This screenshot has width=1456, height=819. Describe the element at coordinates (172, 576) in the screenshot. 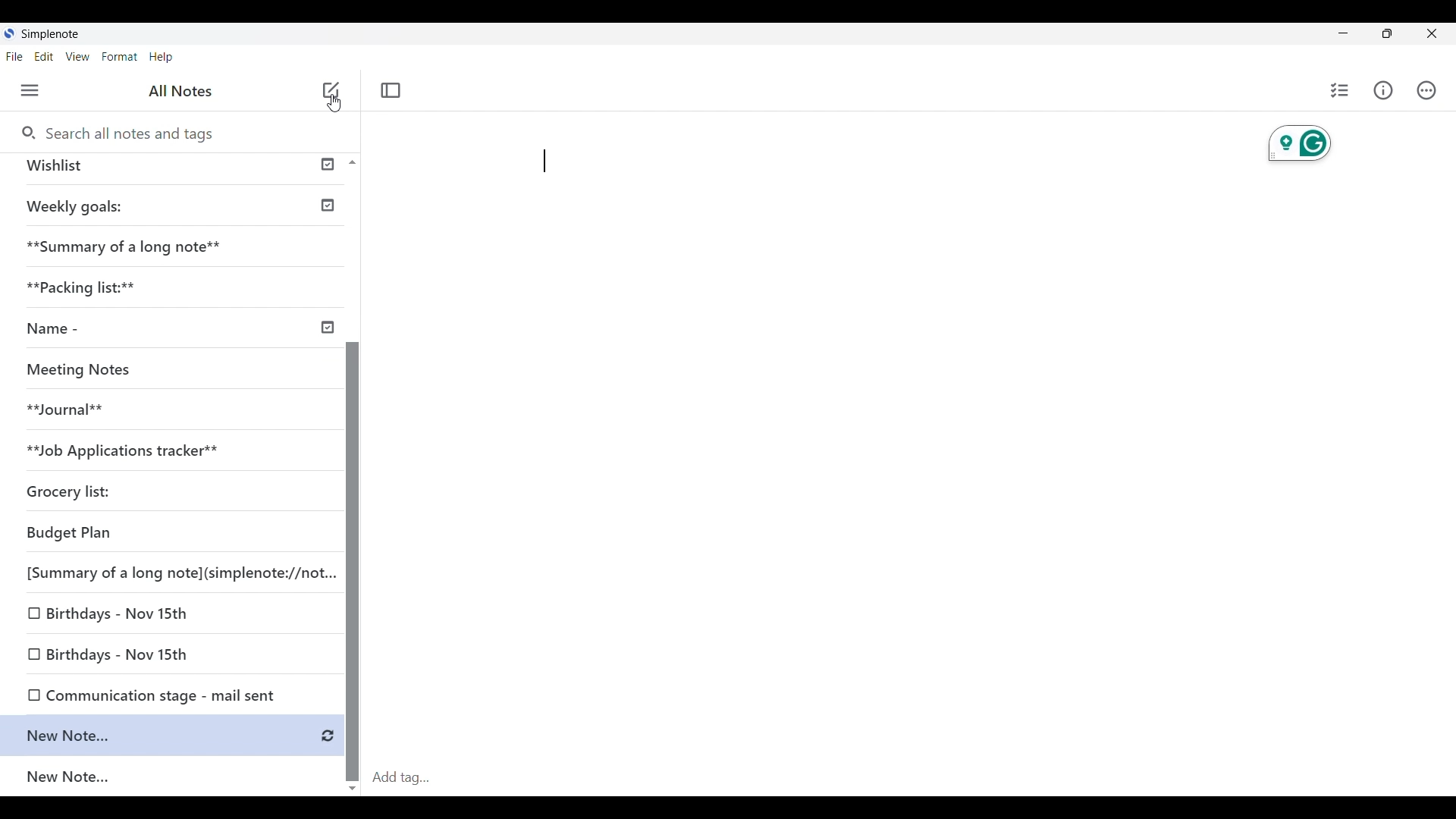

I see `[Summary of a long note](simplenote://` at that location.